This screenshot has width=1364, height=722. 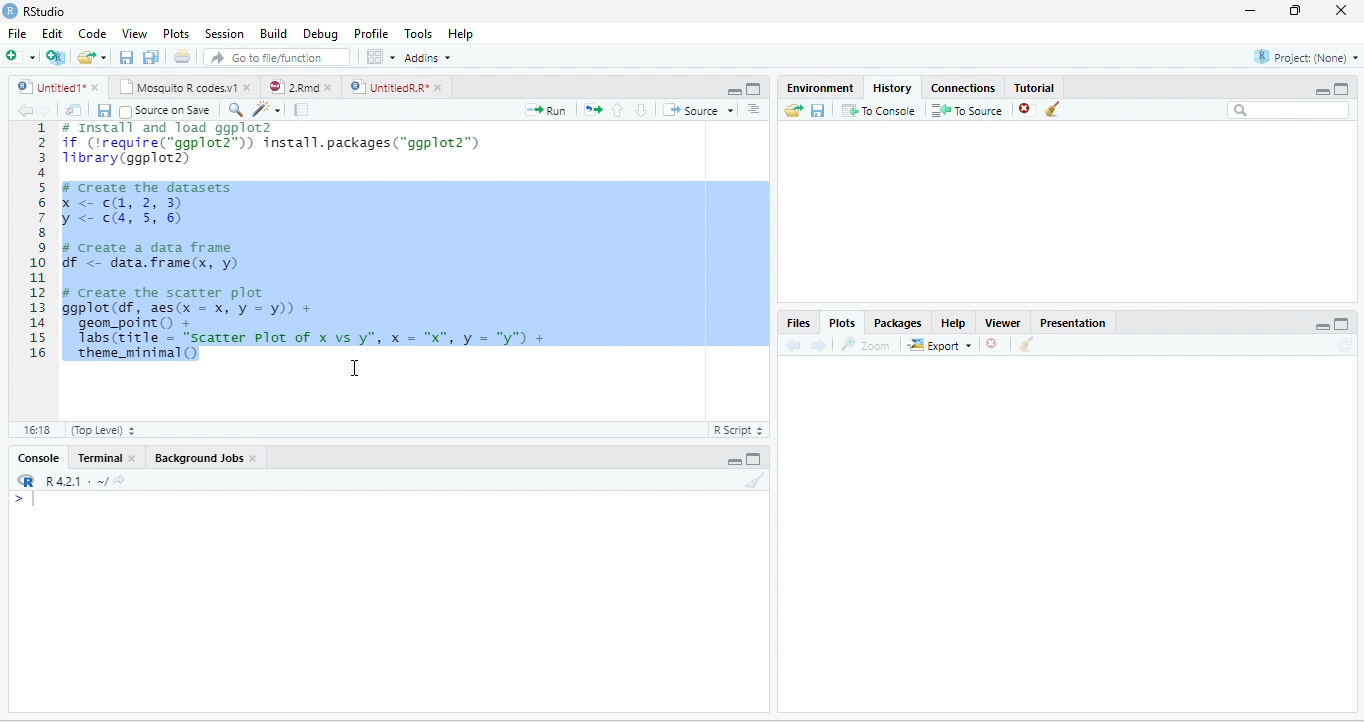 I want to click on Edit, so click(x=51, y=33).